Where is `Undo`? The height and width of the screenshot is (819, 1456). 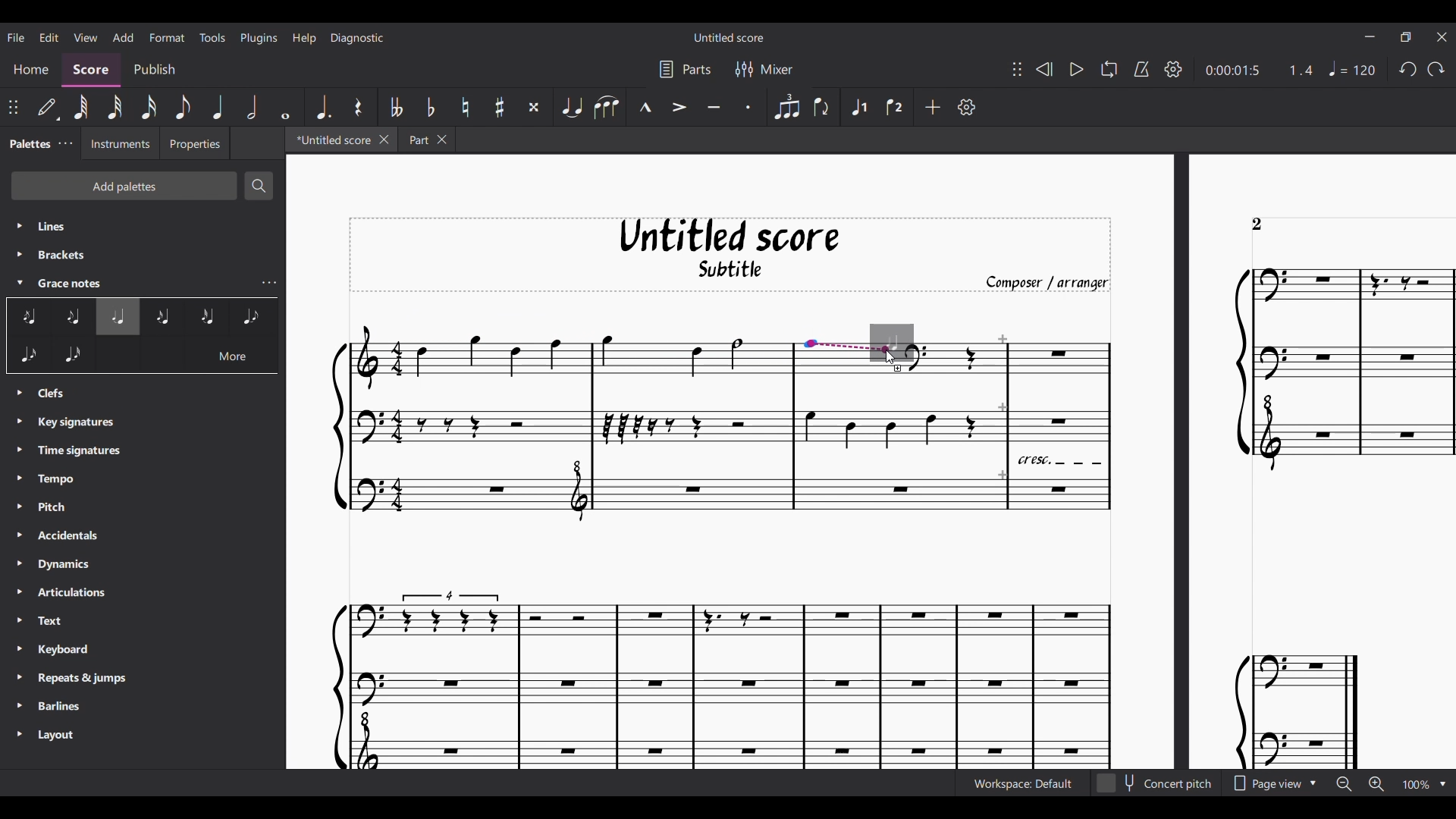
Undo is located at coordinates (1407, 70).